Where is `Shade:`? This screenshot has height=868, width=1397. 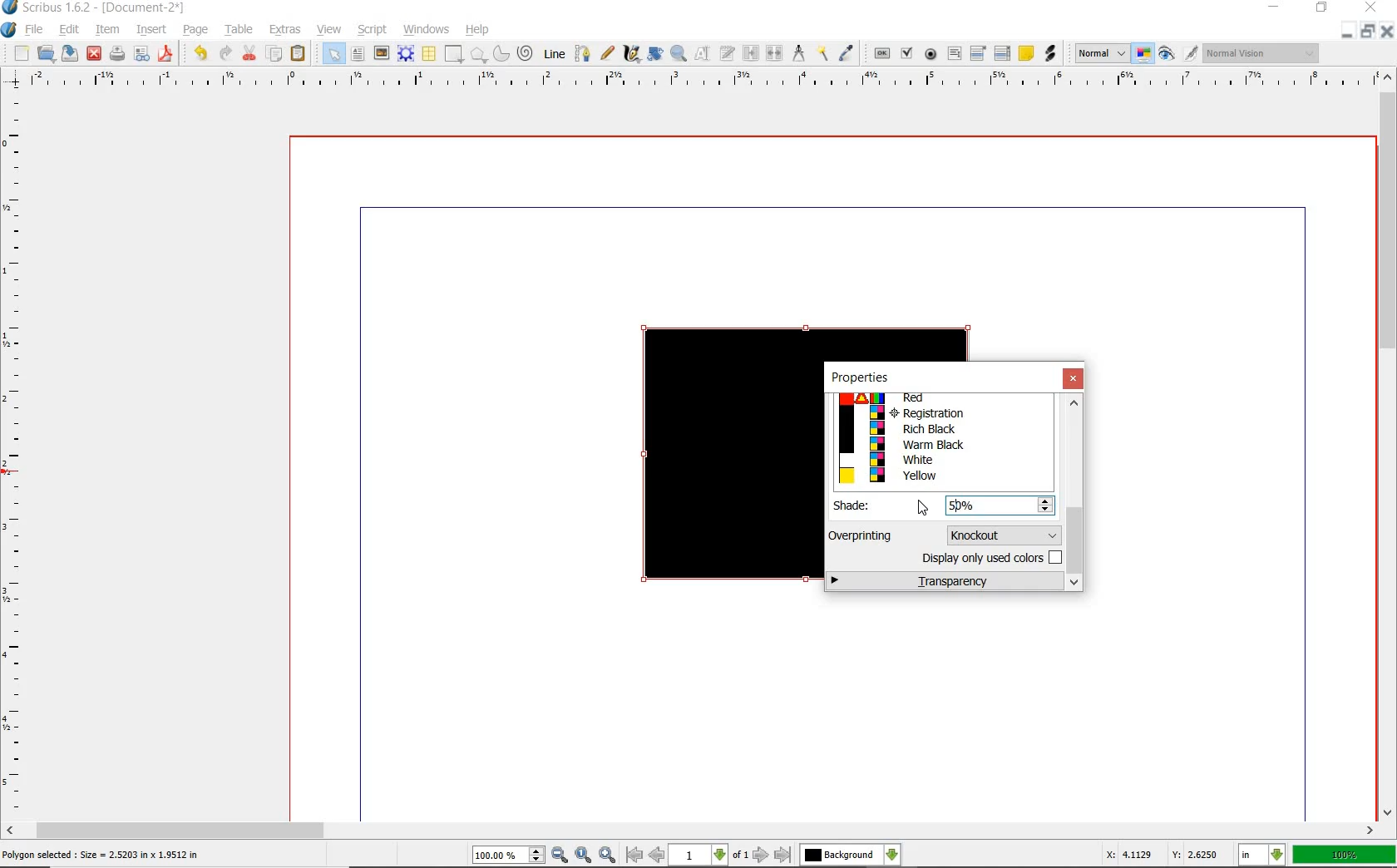 Shade: is located at coordinates (863, 506).